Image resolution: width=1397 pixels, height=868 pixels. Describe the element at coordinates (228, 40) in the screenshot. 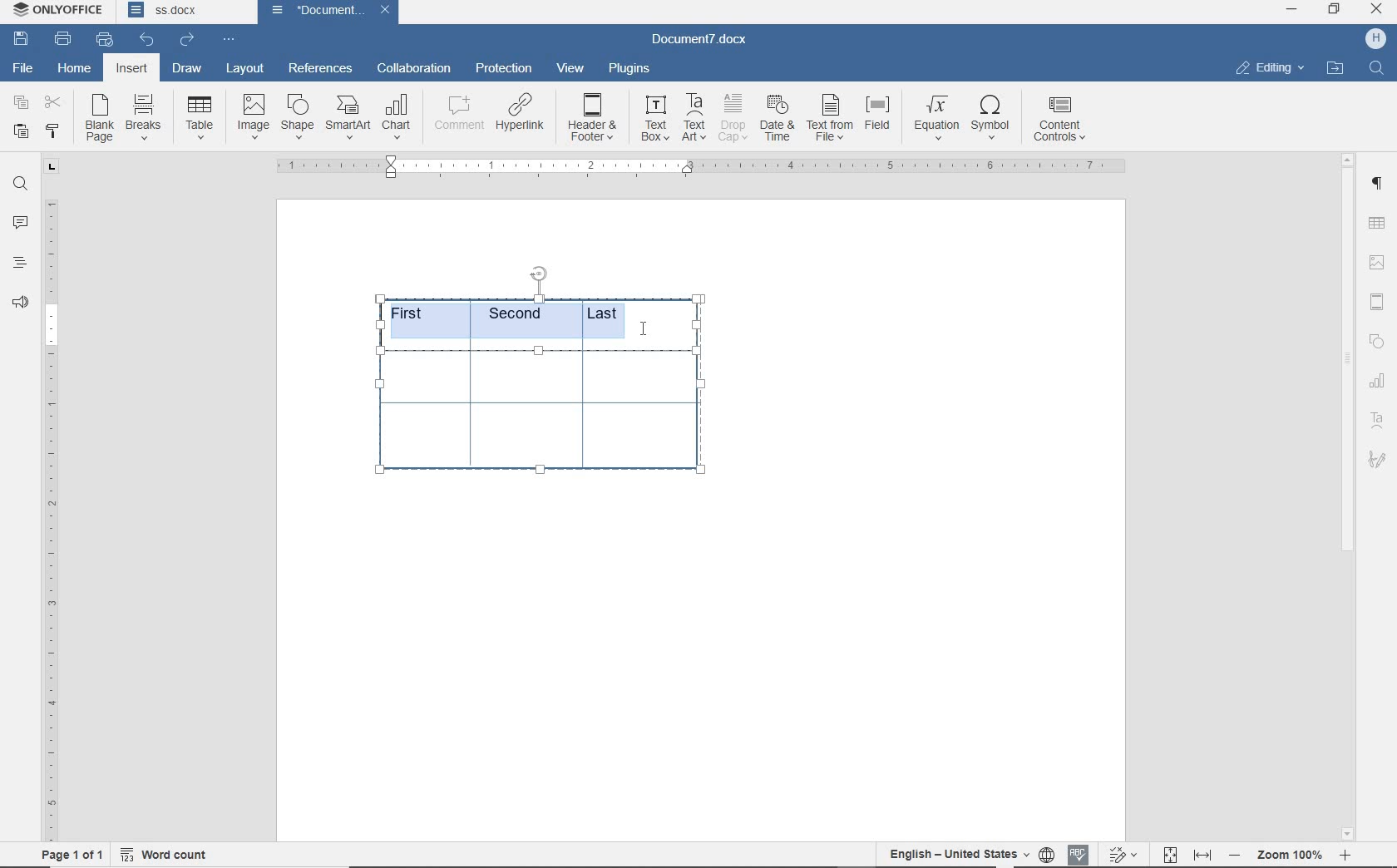

I see `customize quick access toolbar` at that location.